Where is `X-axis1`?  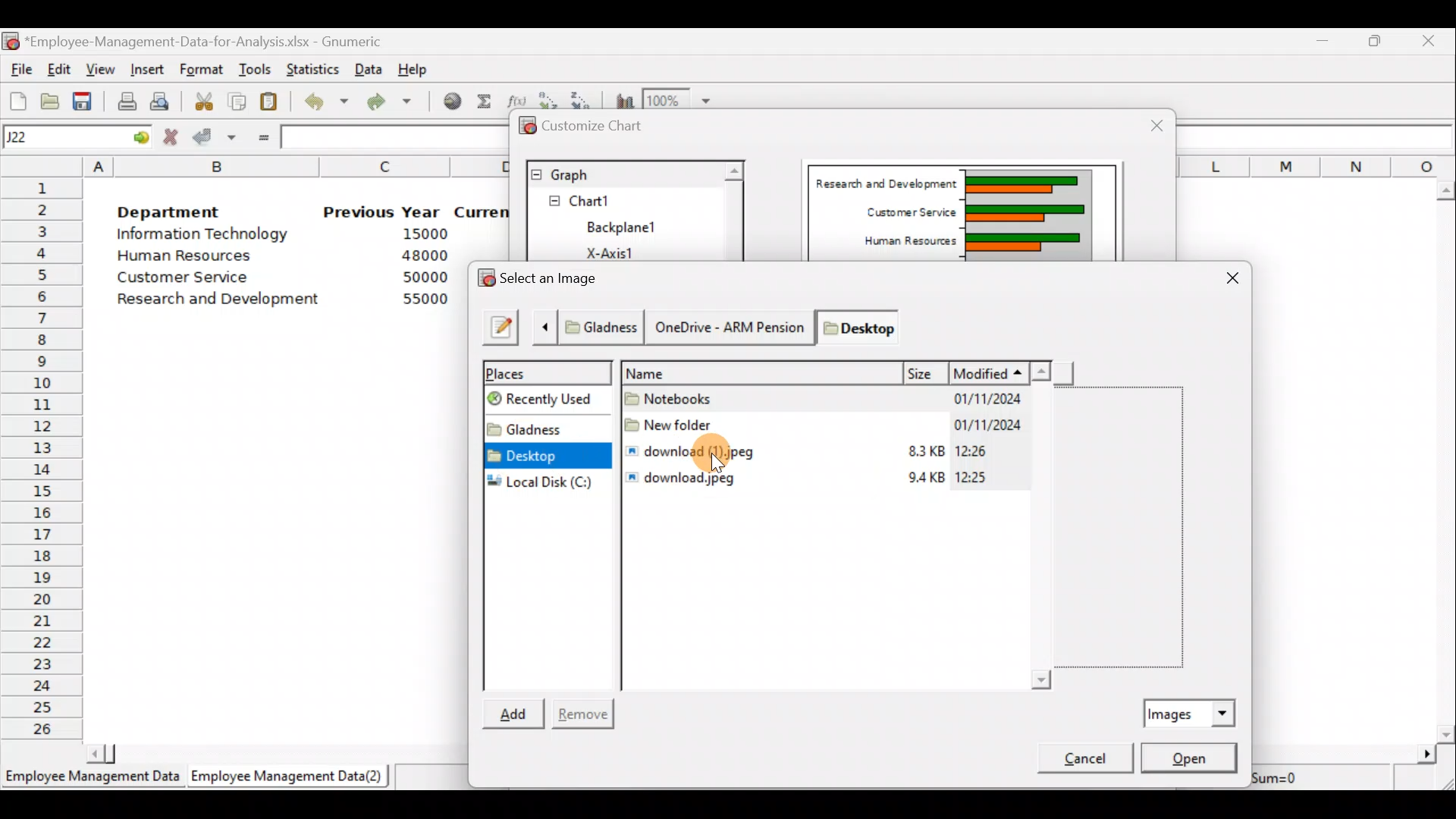
X-axis1 is located at coordinates (620, 251).